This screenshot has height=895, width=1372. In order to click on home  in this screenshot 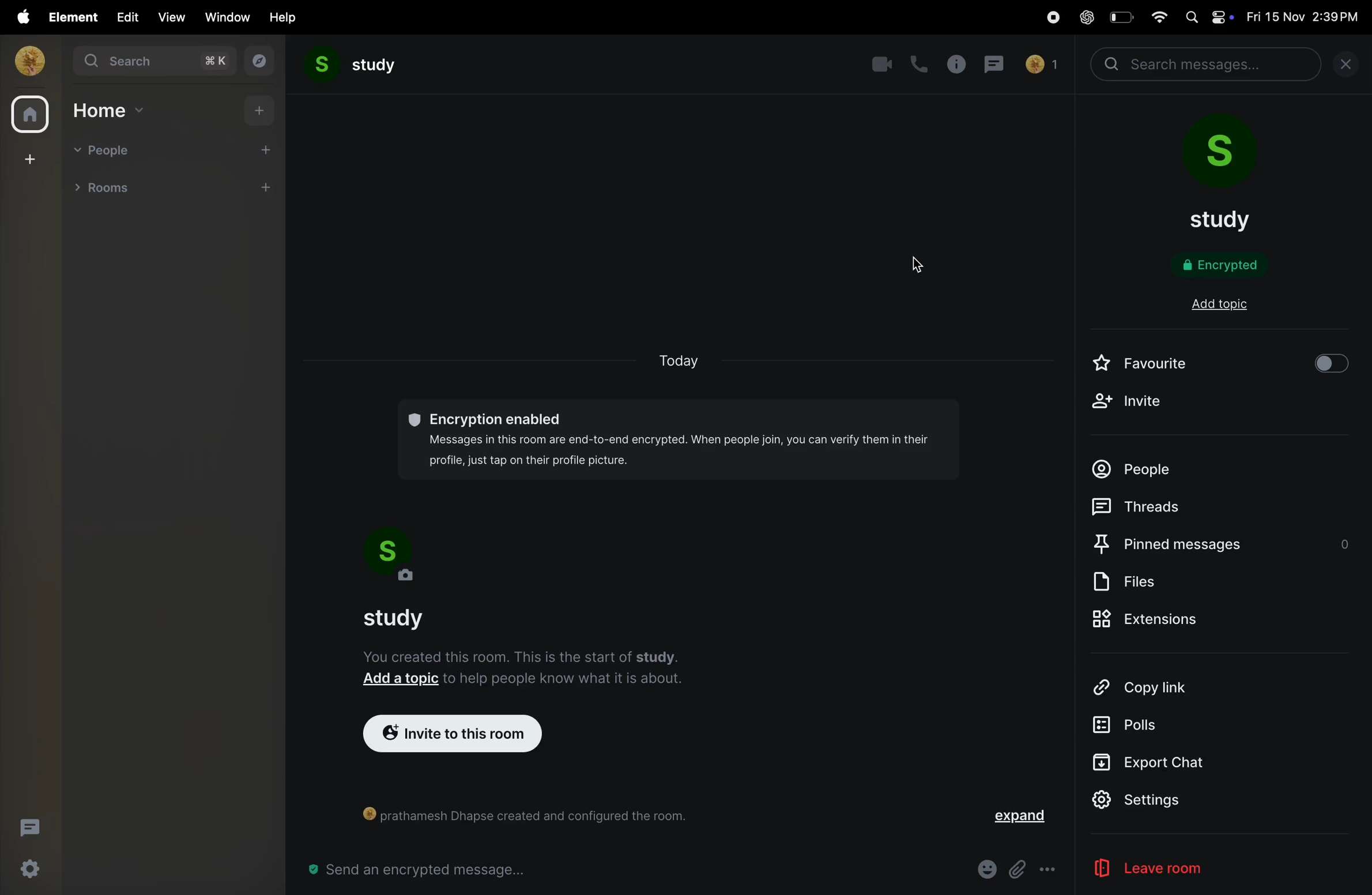, I will do `click(29, 116)`.